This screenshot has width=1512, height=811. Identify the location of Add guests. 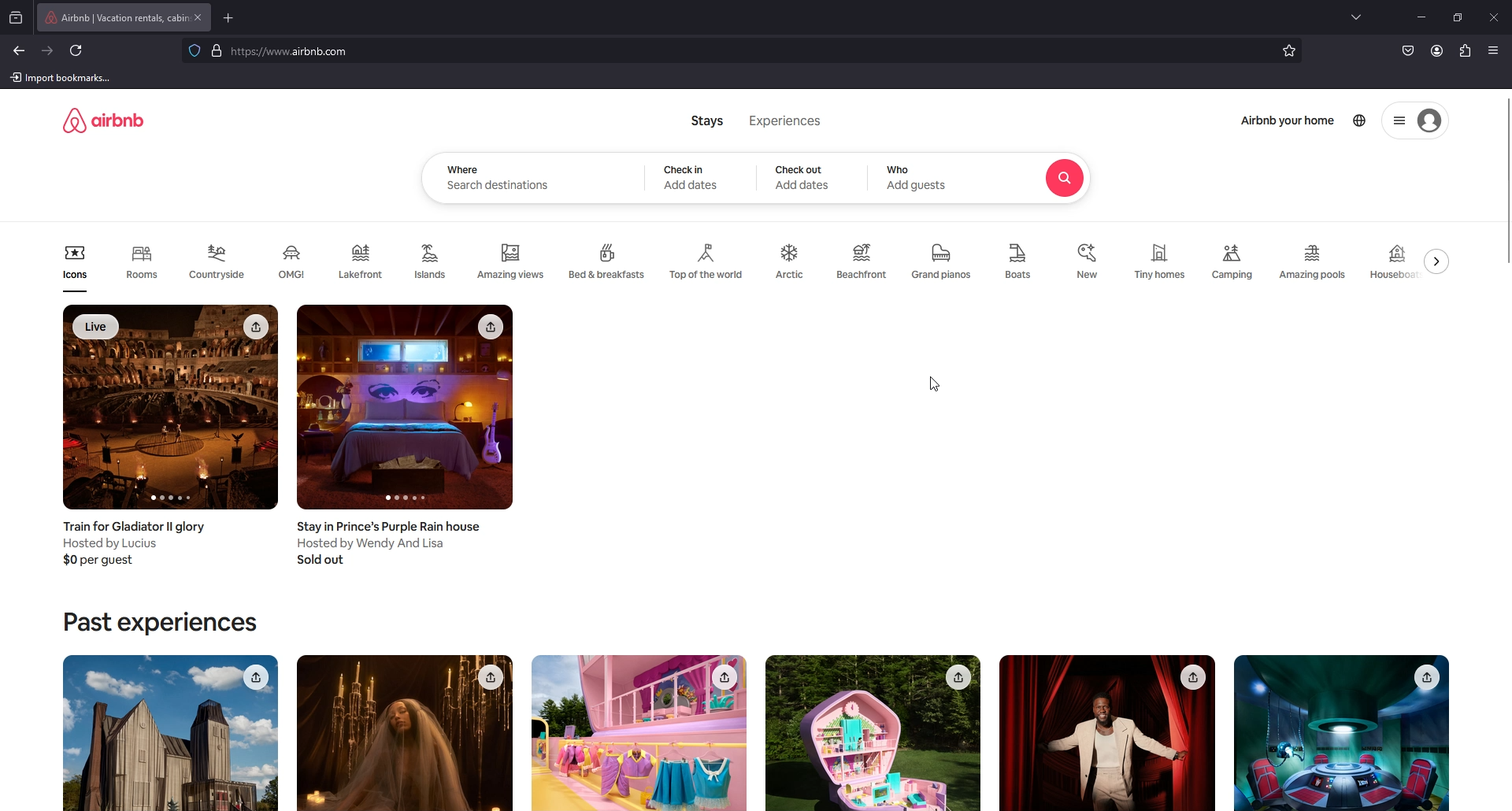
(918, 185).